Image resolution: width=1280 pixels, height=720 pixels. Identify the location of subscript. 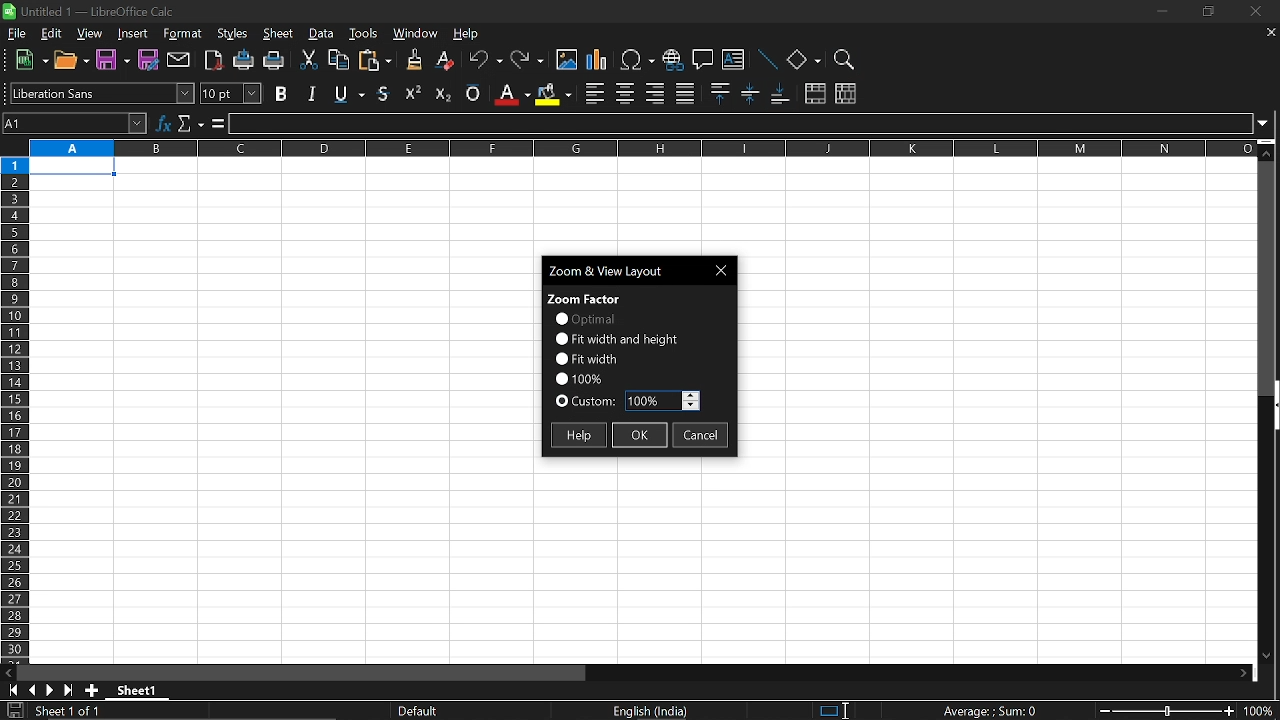
(441, 92).